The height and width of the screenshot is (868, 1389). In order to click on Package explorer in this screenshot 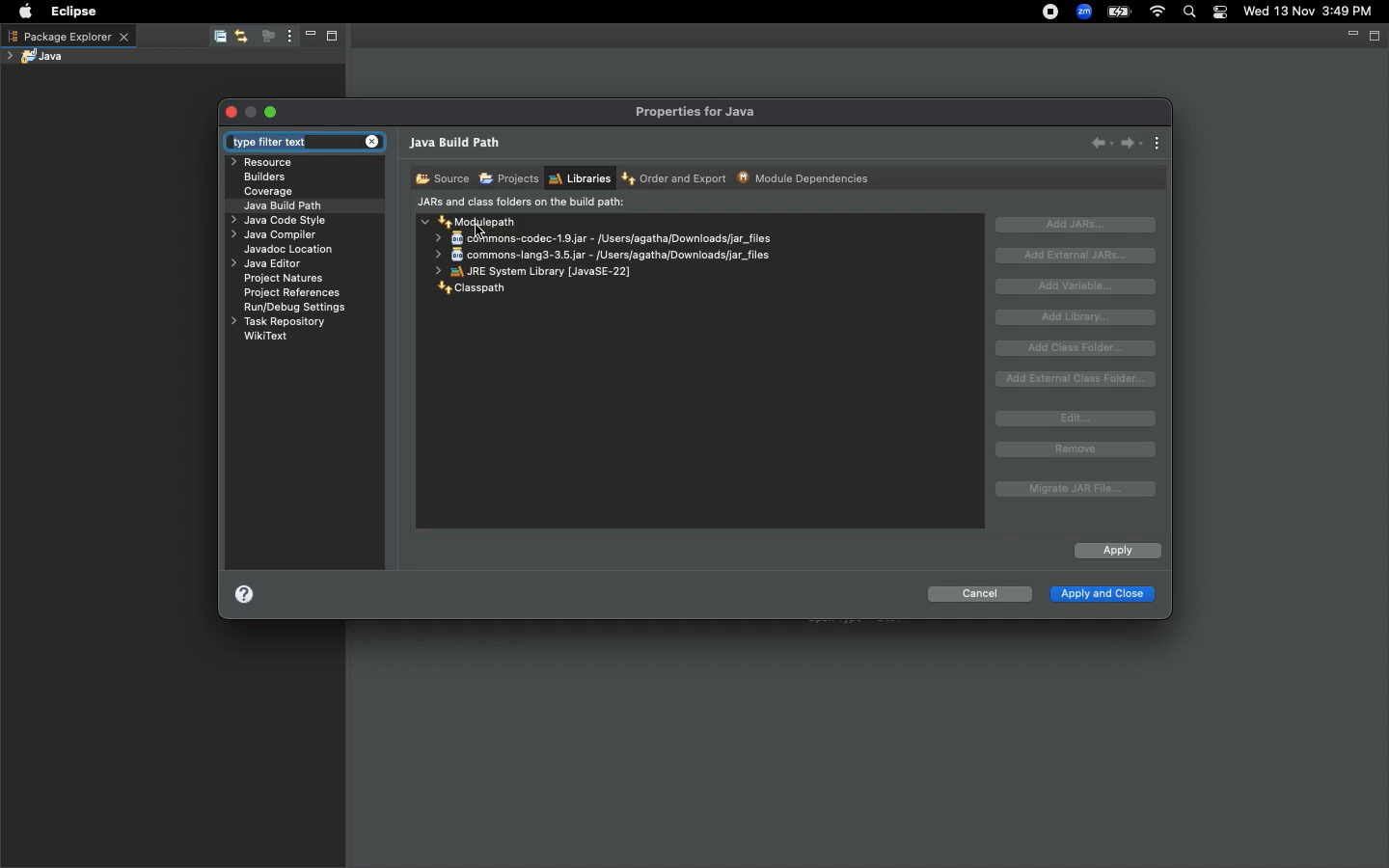, I will do `click(68, 36)`.